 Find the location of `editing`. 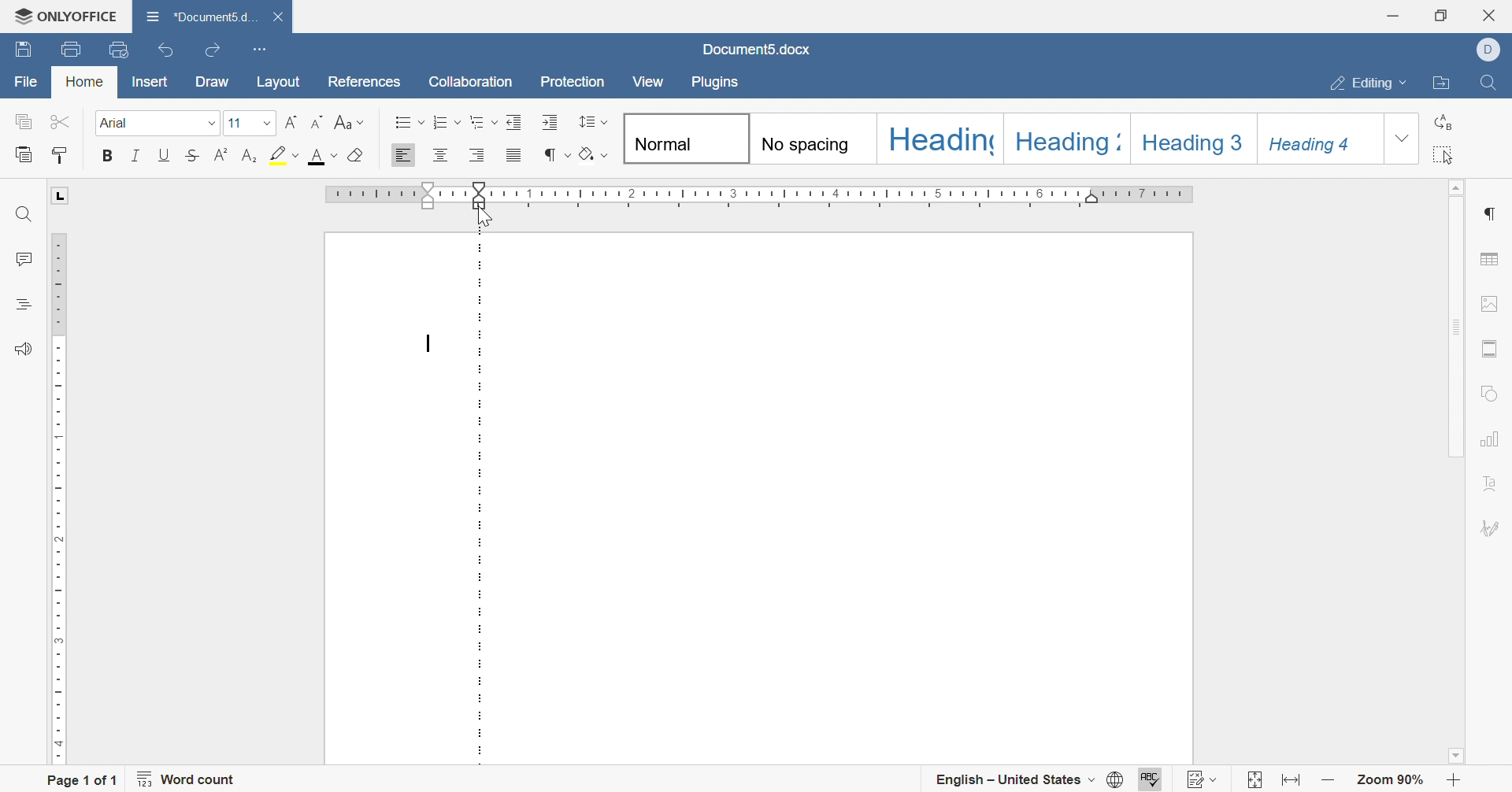

editing is located at coordinates (1368, 83).